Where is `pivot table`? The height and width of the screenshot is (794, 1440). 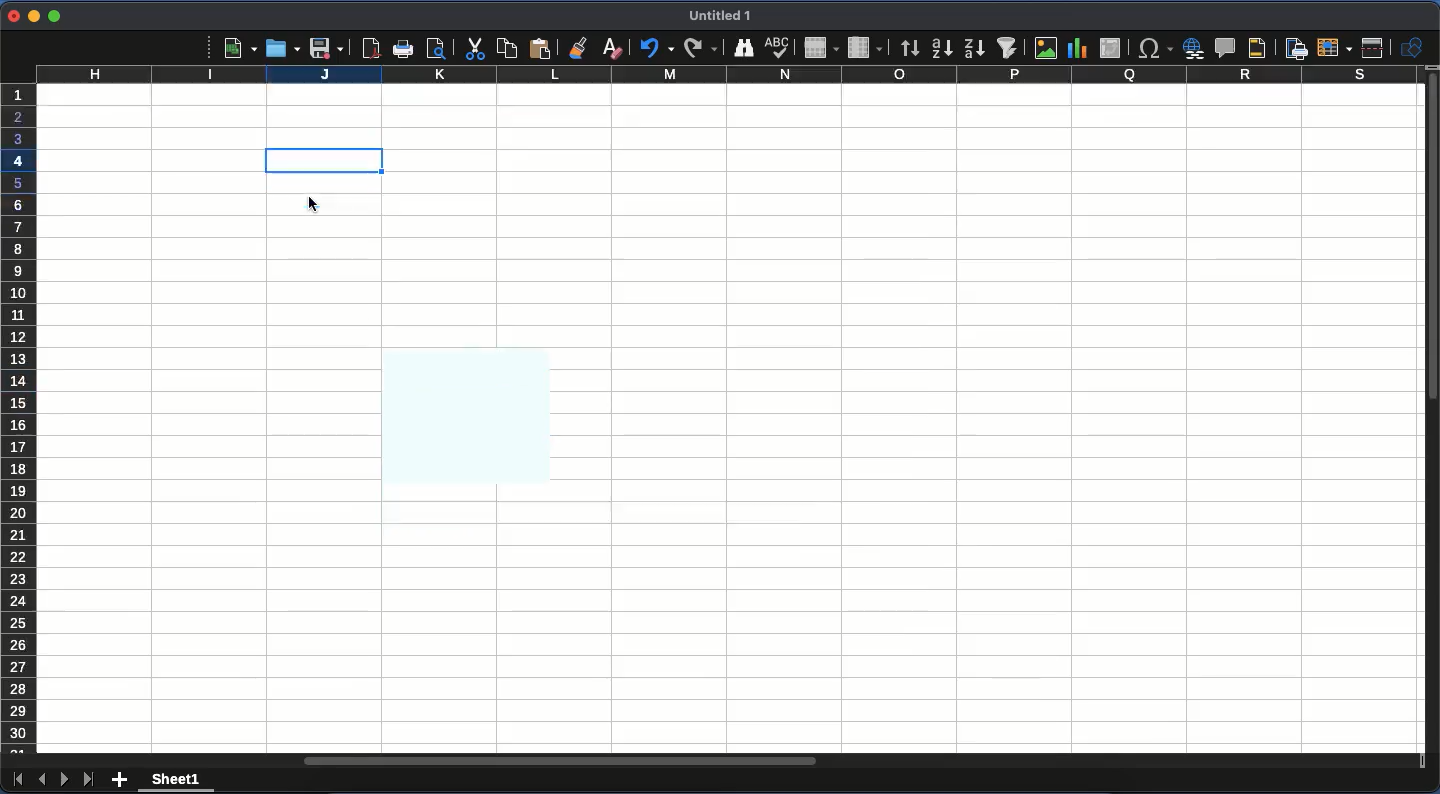
pivot table is located at coordinates (1113, 48).